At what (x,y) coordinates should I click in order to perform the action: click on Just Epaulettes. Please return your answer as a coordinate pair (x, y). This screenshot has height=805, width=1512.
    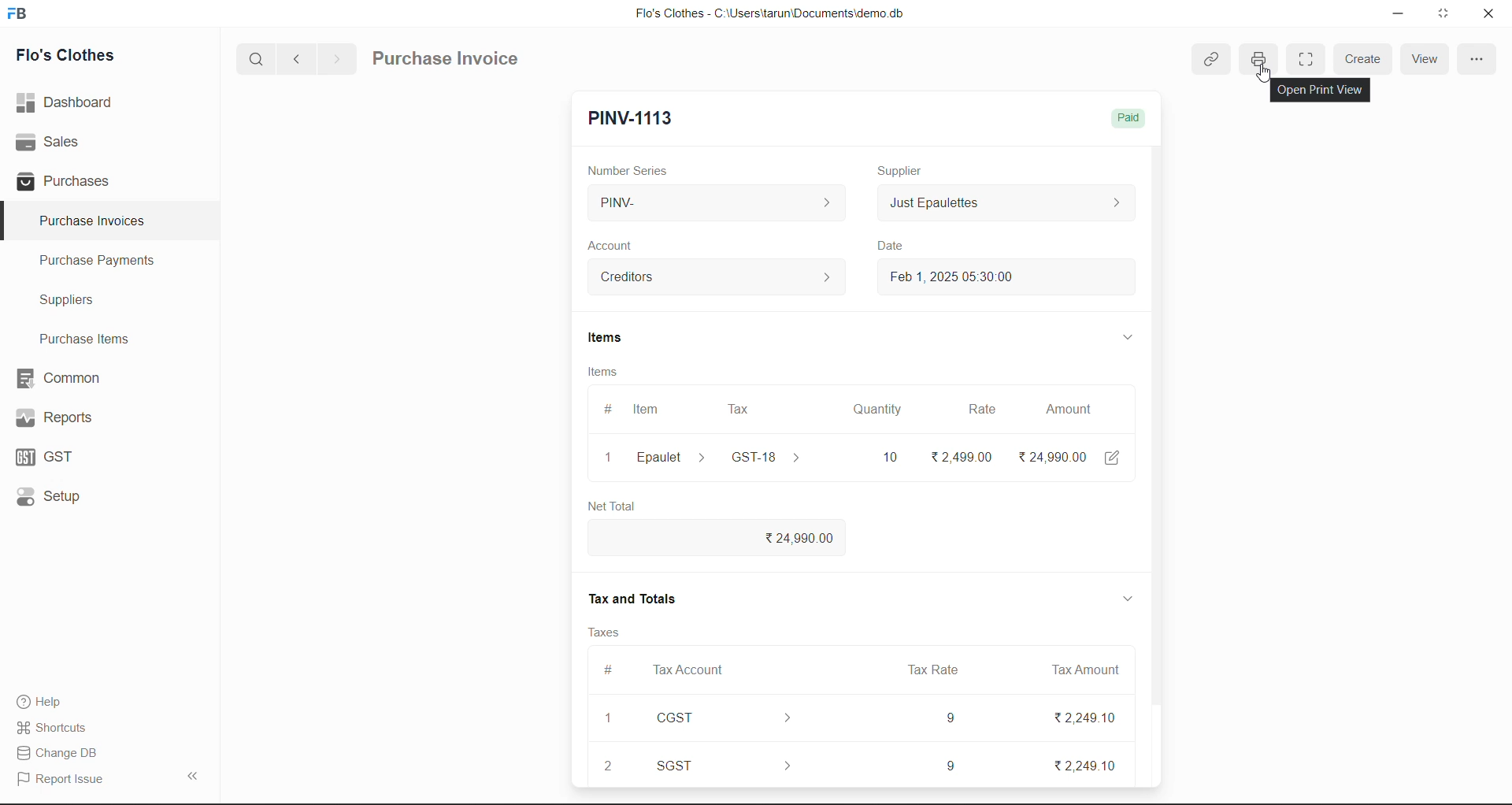
    Looking at the image, I should click on (1002, 202).